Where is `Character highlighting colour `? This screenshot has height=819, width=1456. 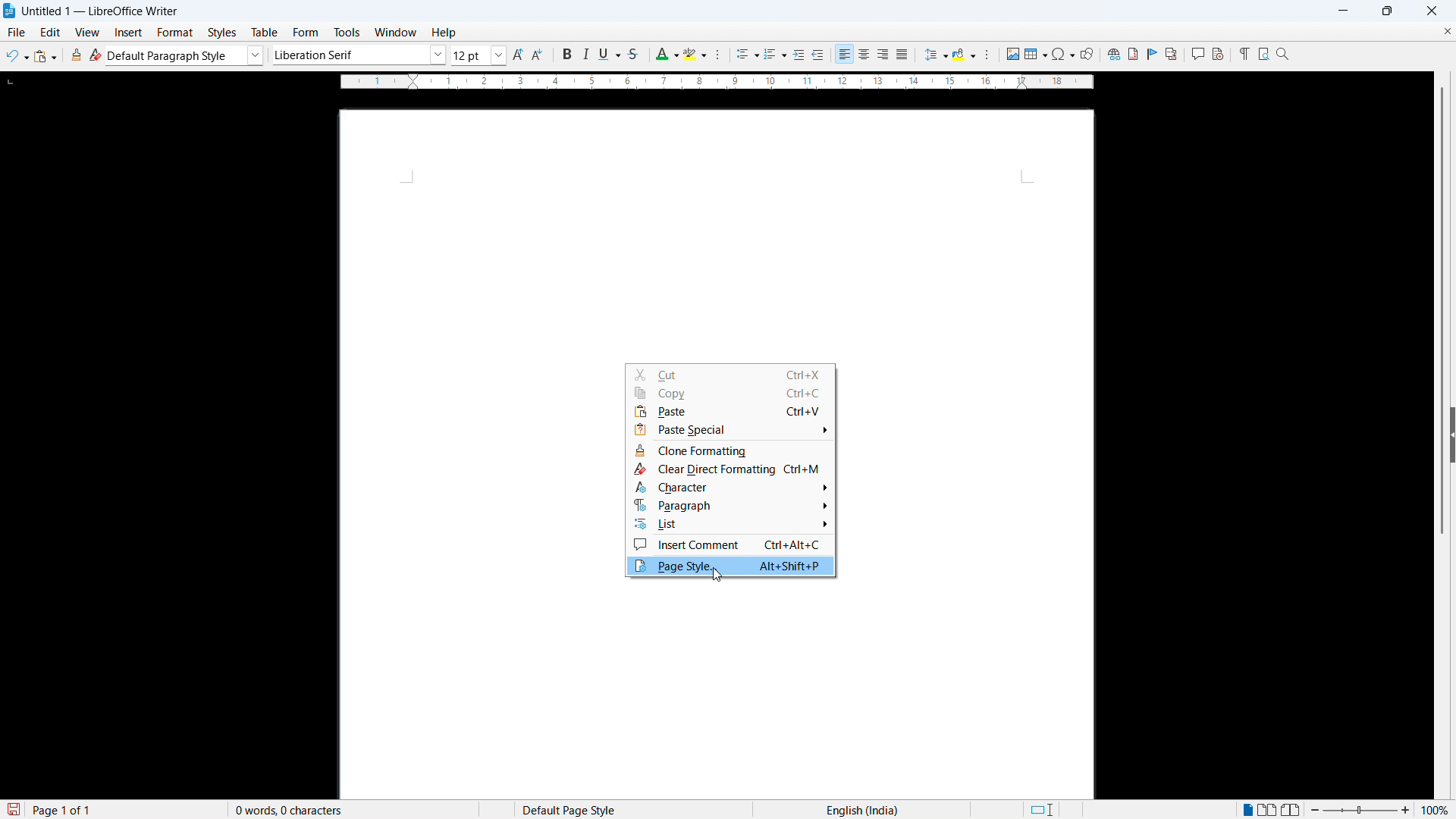 Character highlighting colour  is located at coordinates (696, 54).